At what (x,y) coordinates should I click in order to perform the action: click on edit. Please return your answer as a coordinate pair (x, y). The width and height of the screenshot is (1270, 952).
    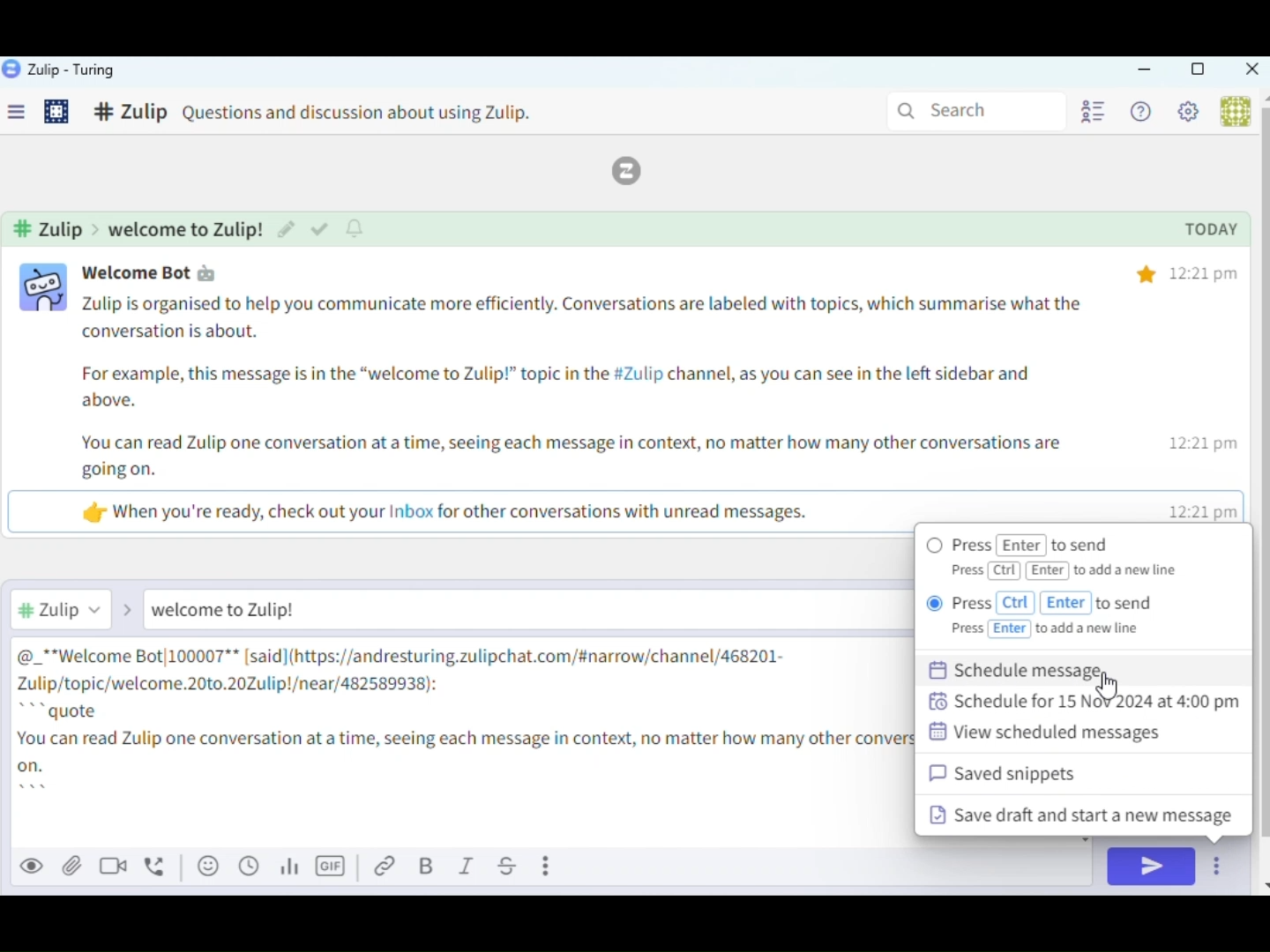
    Looking at the image, I should click on (285, 228).